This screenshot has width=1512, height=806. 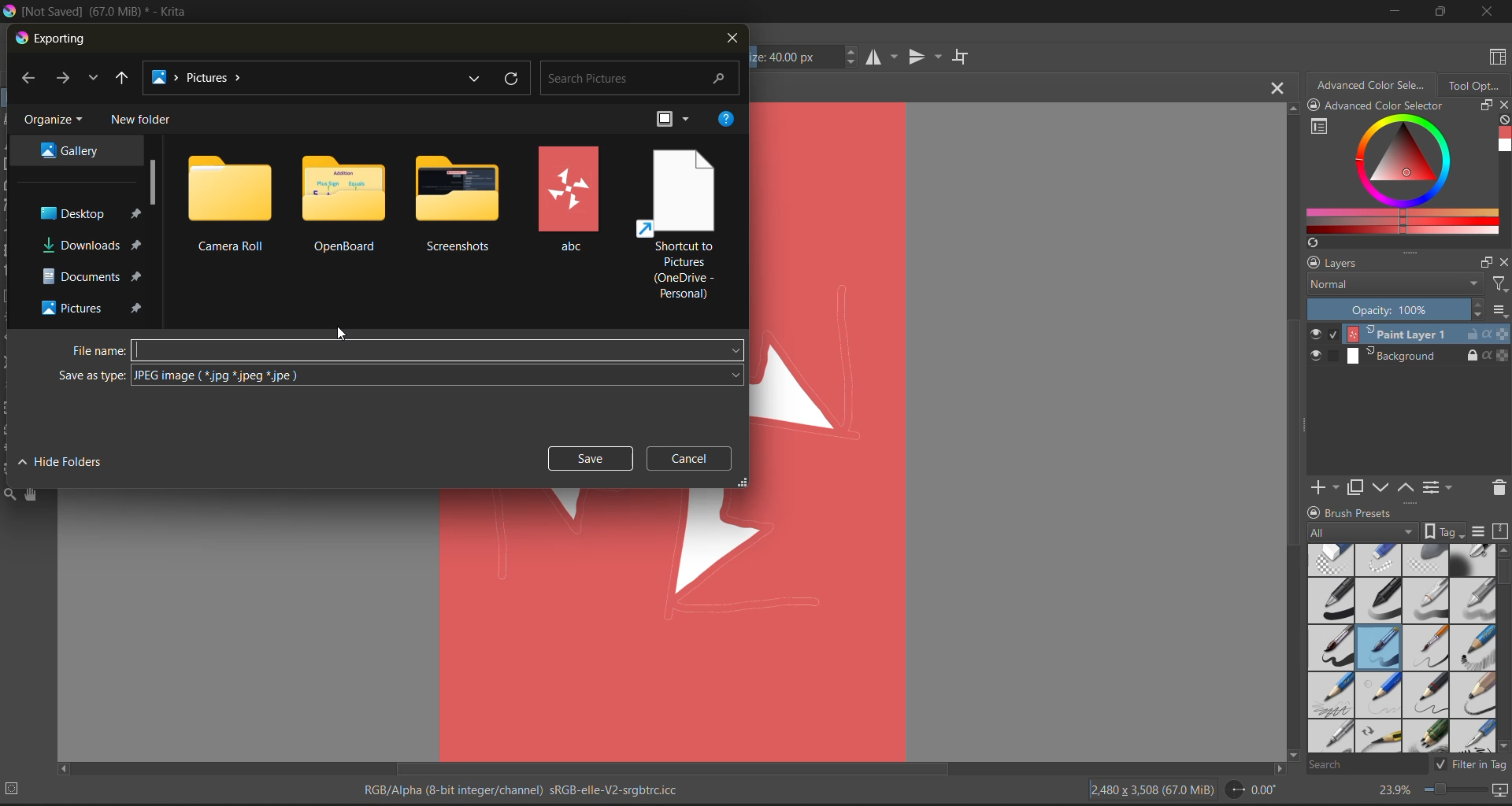 I want to click on hide folders, so click(x=58, y=464).